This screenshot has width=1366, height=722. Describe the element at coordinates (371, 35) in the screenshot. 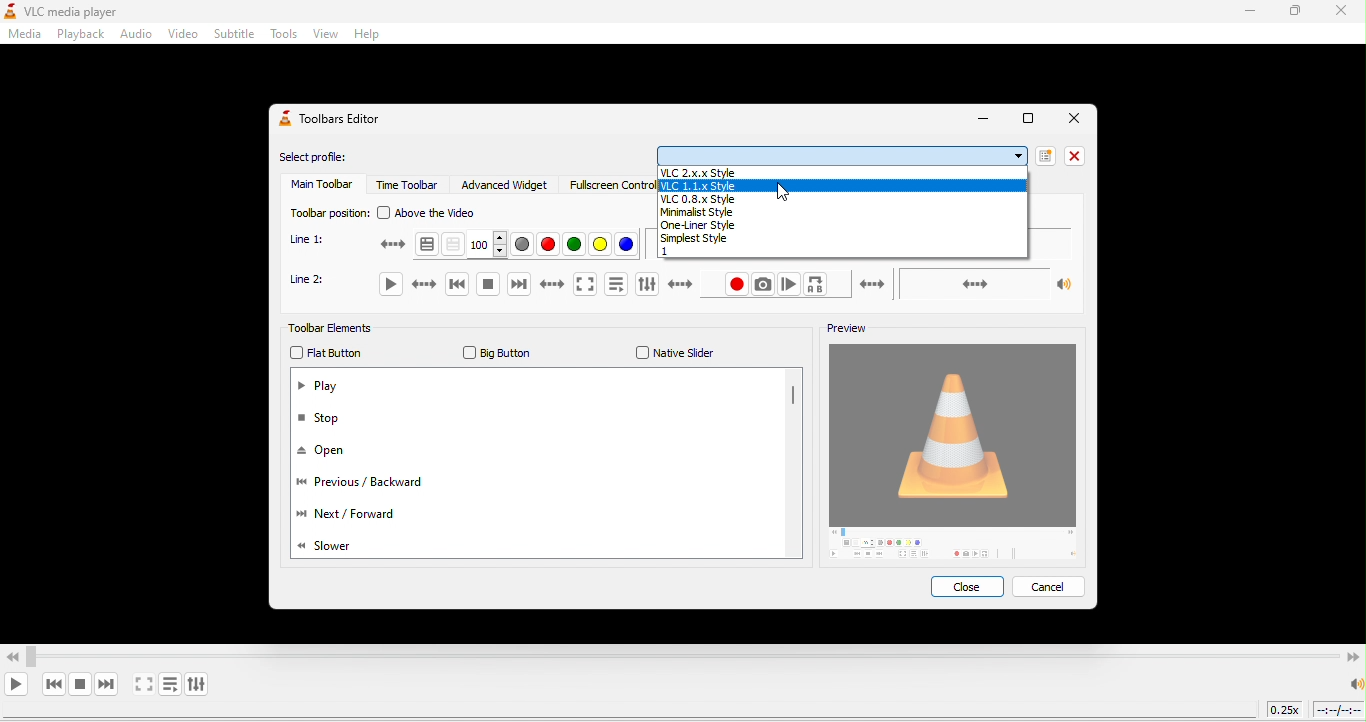

I see `help` at that location.